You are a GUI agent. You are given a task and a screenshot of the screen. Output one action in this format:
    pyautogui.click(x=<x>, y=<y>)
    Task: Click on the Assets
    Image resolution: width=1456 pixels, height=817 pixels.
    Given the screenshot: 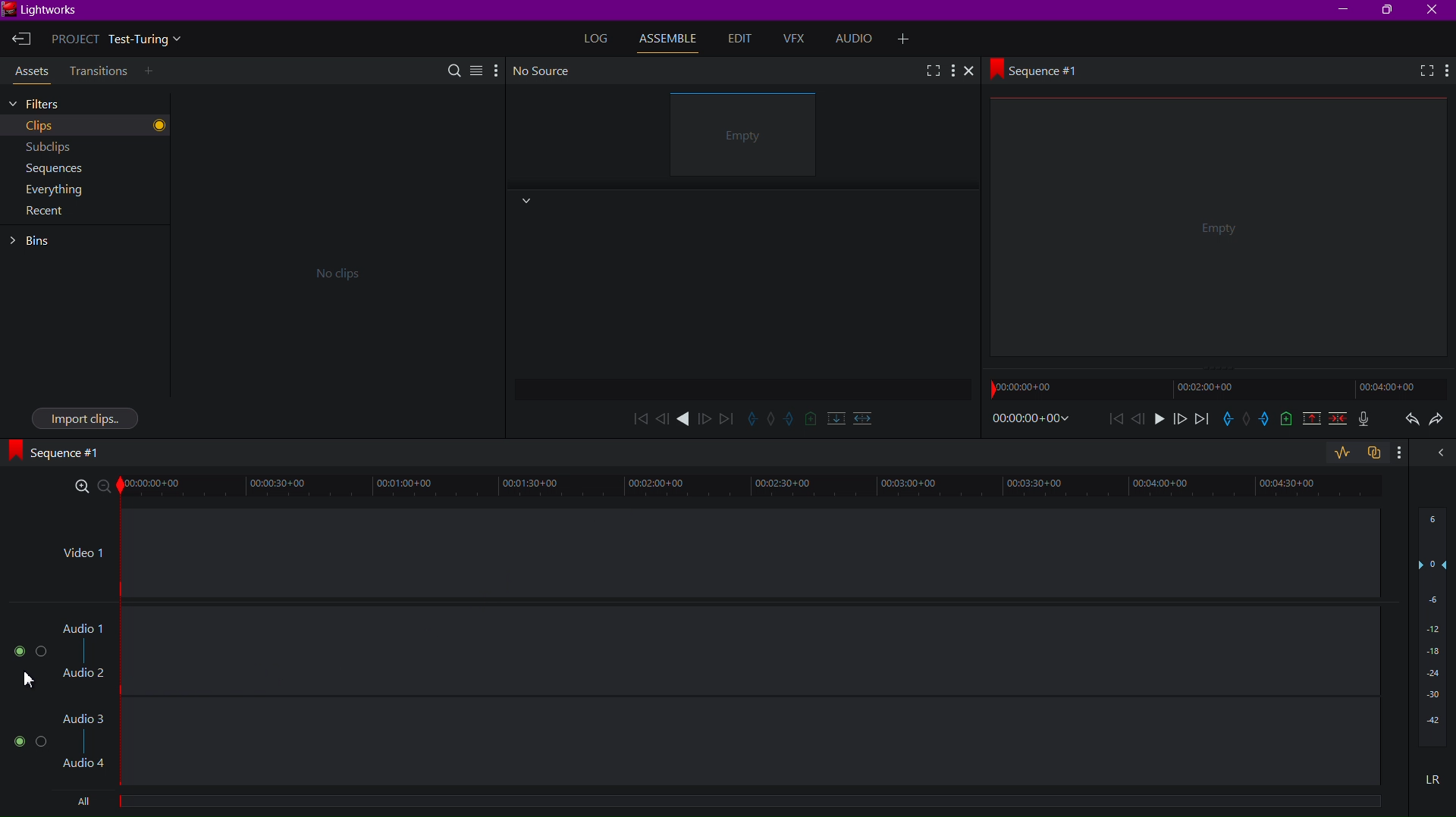 What is the action you would take?
    pyautogui.click(x=29, y=74)
    